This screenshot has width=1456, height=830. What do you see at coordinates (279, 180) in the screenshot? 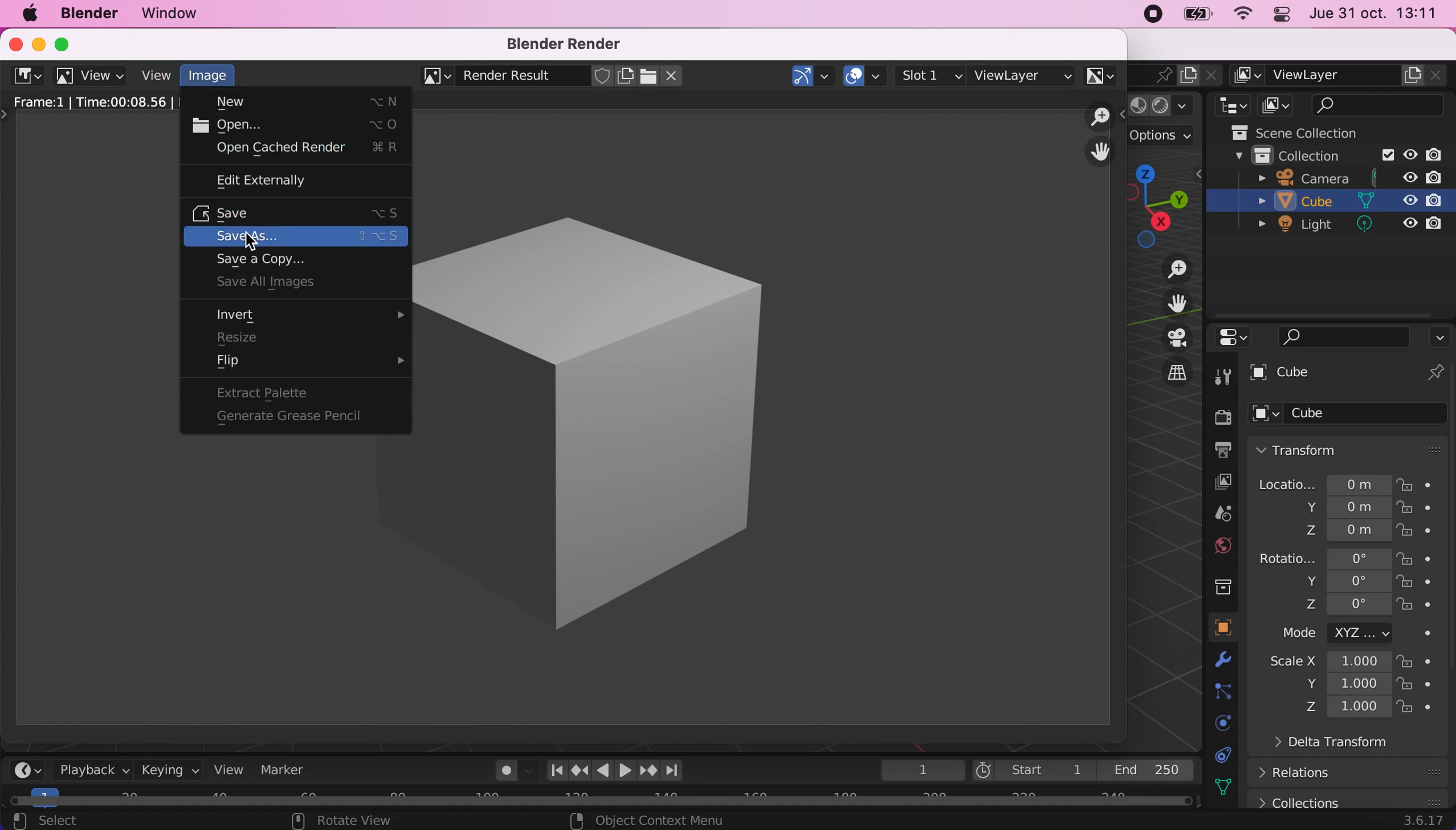
I see `edit externally` at bounding box center [279, 180].